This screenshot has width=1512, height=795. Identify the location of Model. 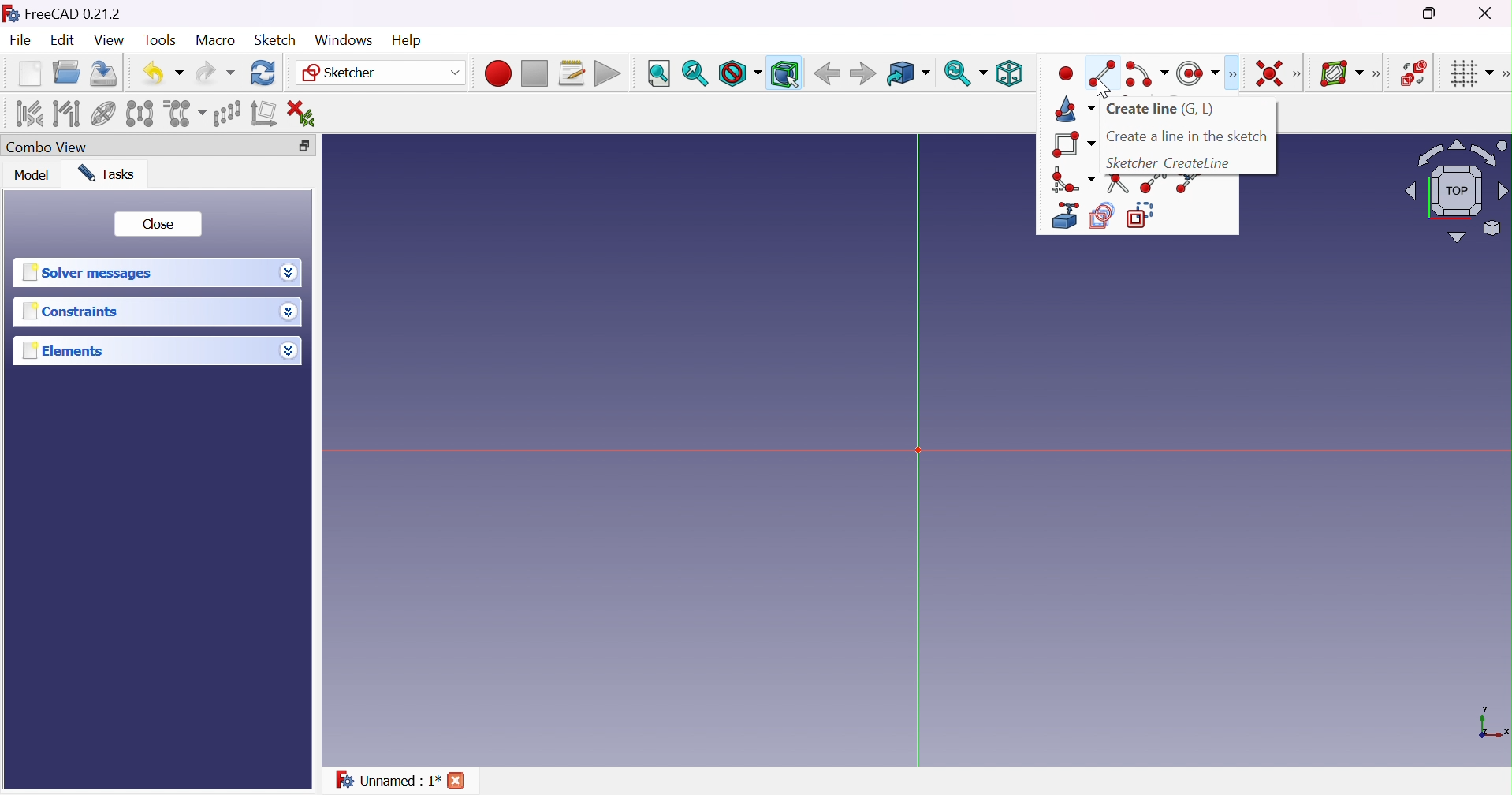
(32, 176).